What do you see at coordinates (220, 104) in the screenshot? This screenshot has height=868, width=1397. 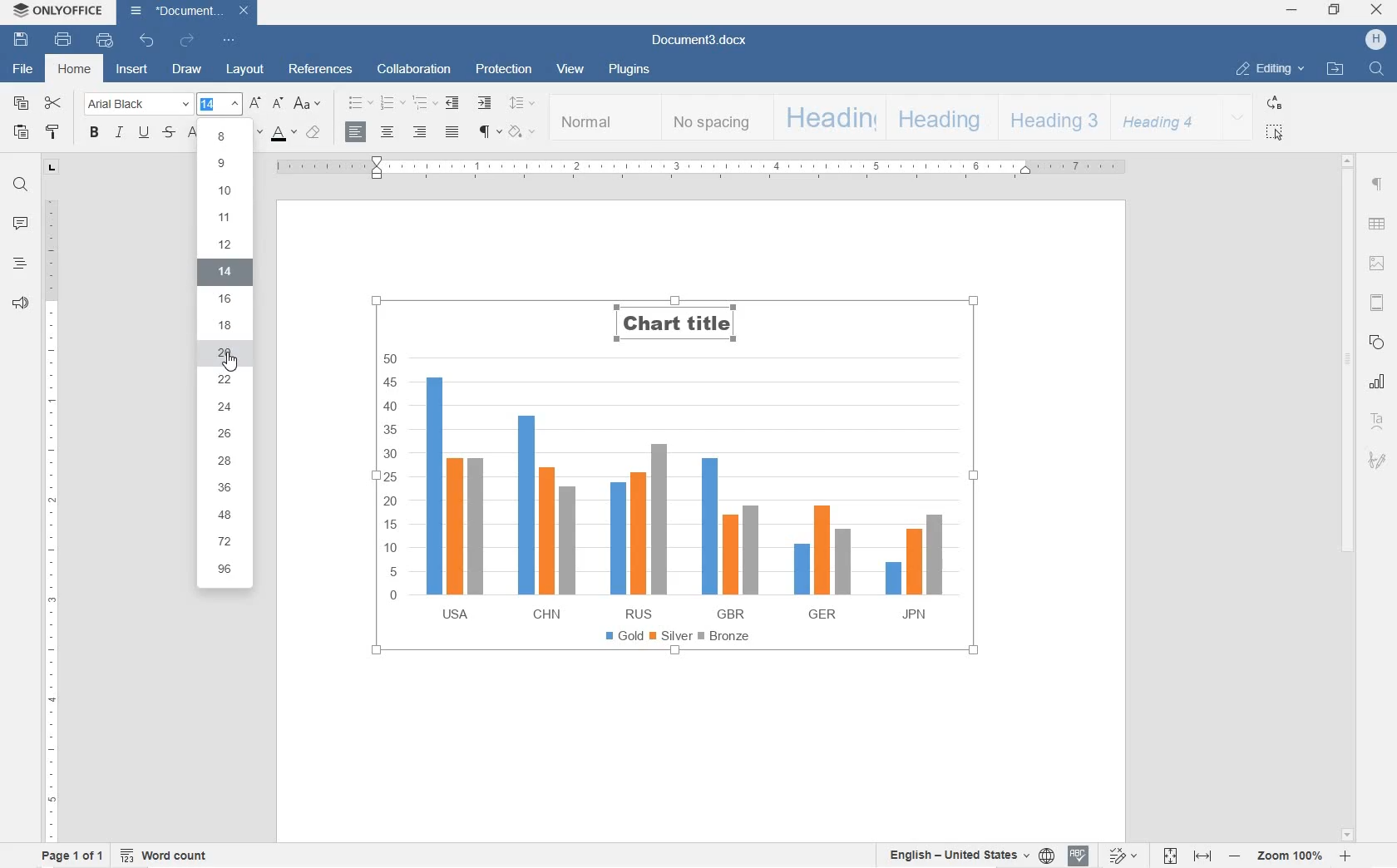 I see `FONT SIZE` at bounding box center [220, 104].